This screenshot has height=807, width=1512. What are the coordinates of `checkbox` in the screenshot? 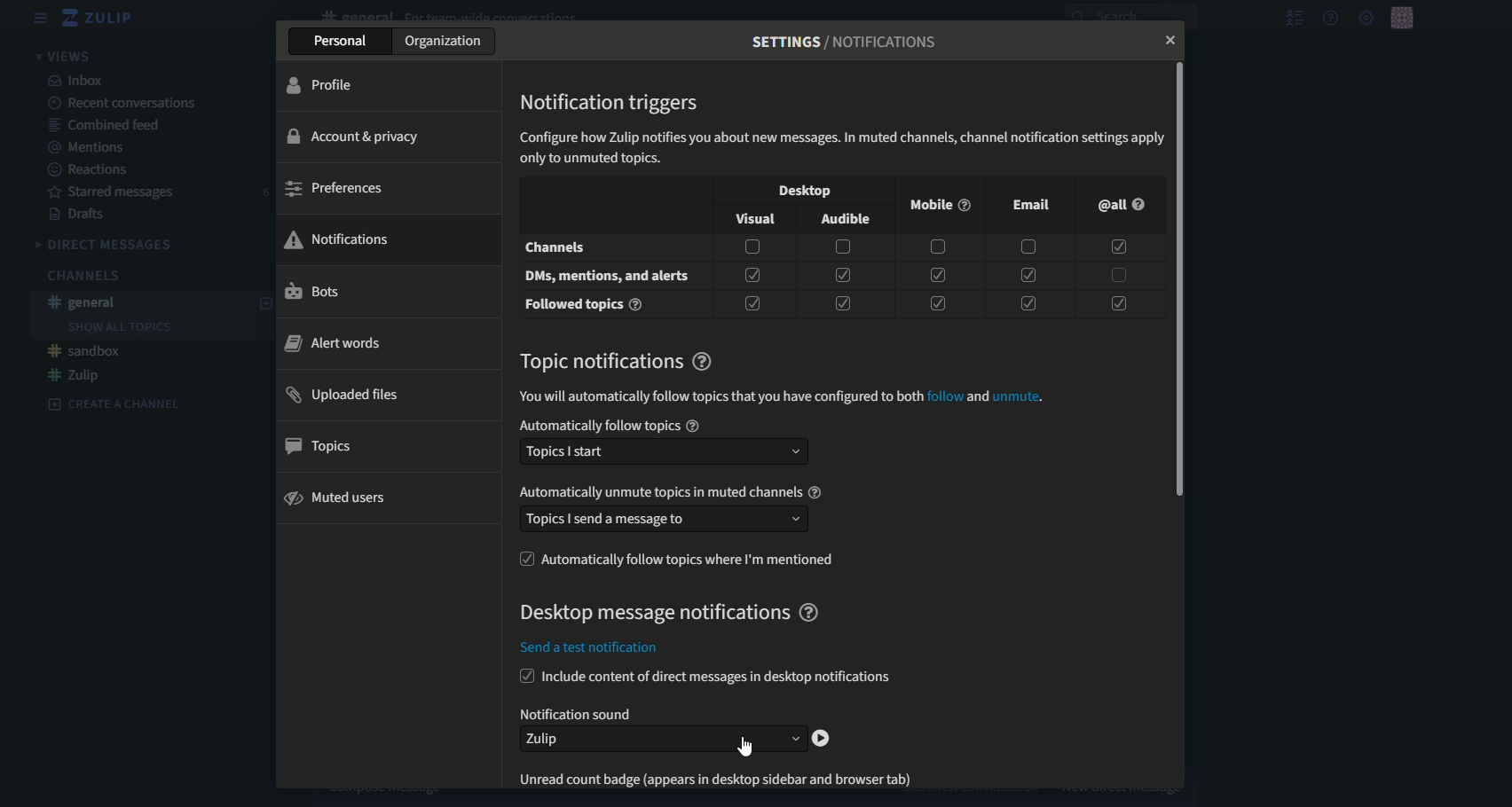 It's located at (1023, 301).